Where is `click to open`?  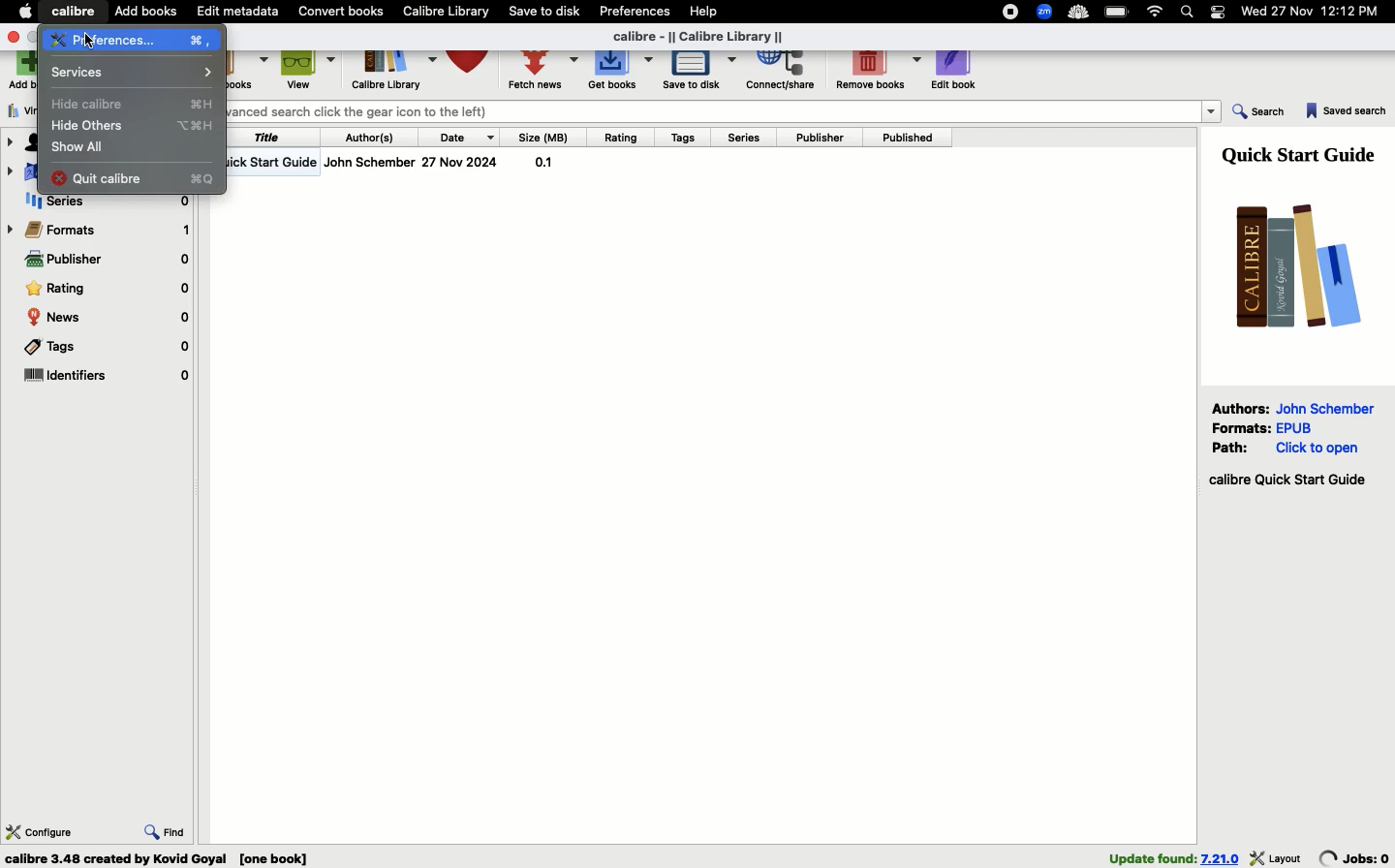
click to open is located at coordinates (1317, 449).